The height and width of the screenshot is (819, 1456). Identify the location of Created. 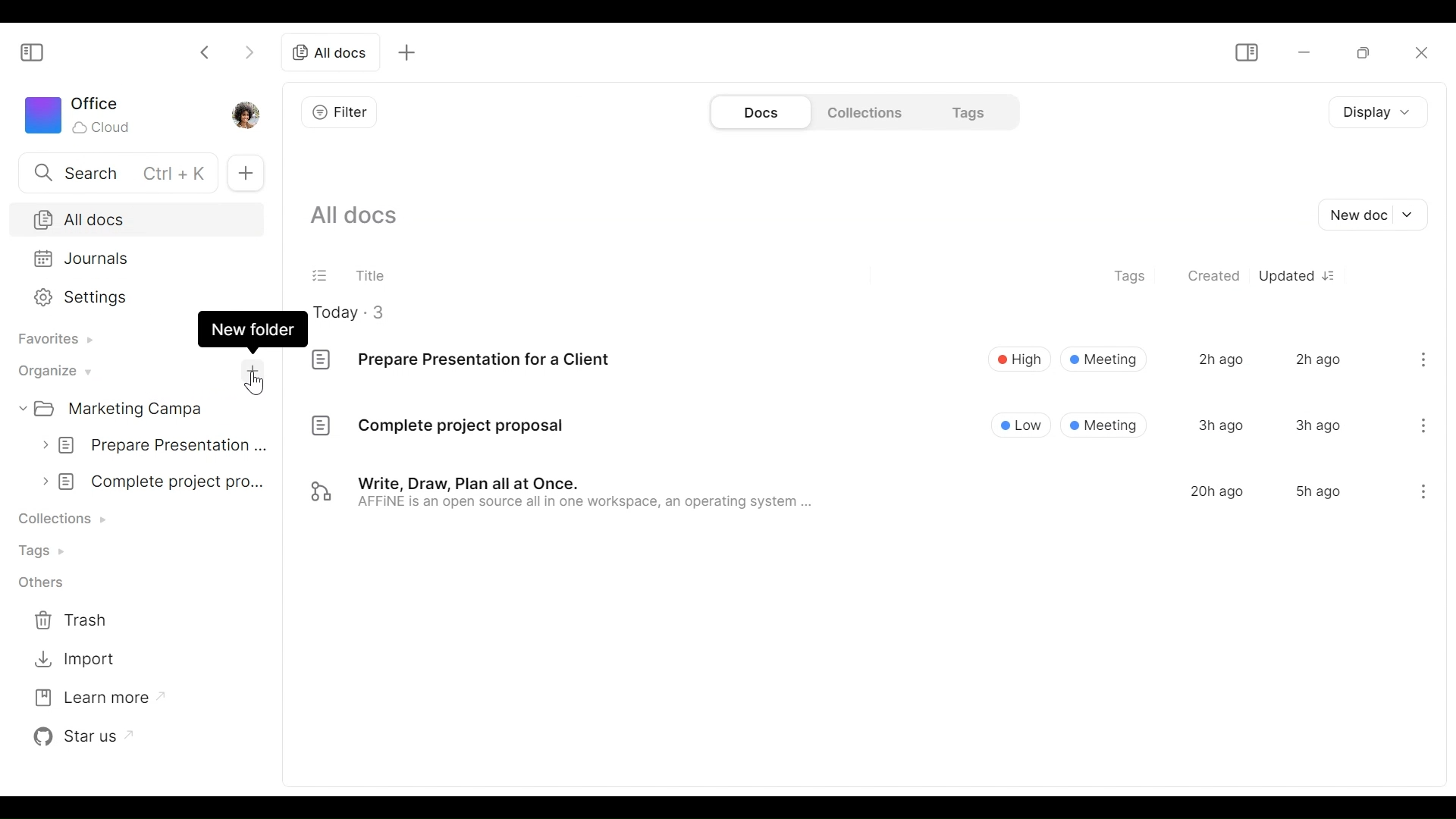
(1215, 277).